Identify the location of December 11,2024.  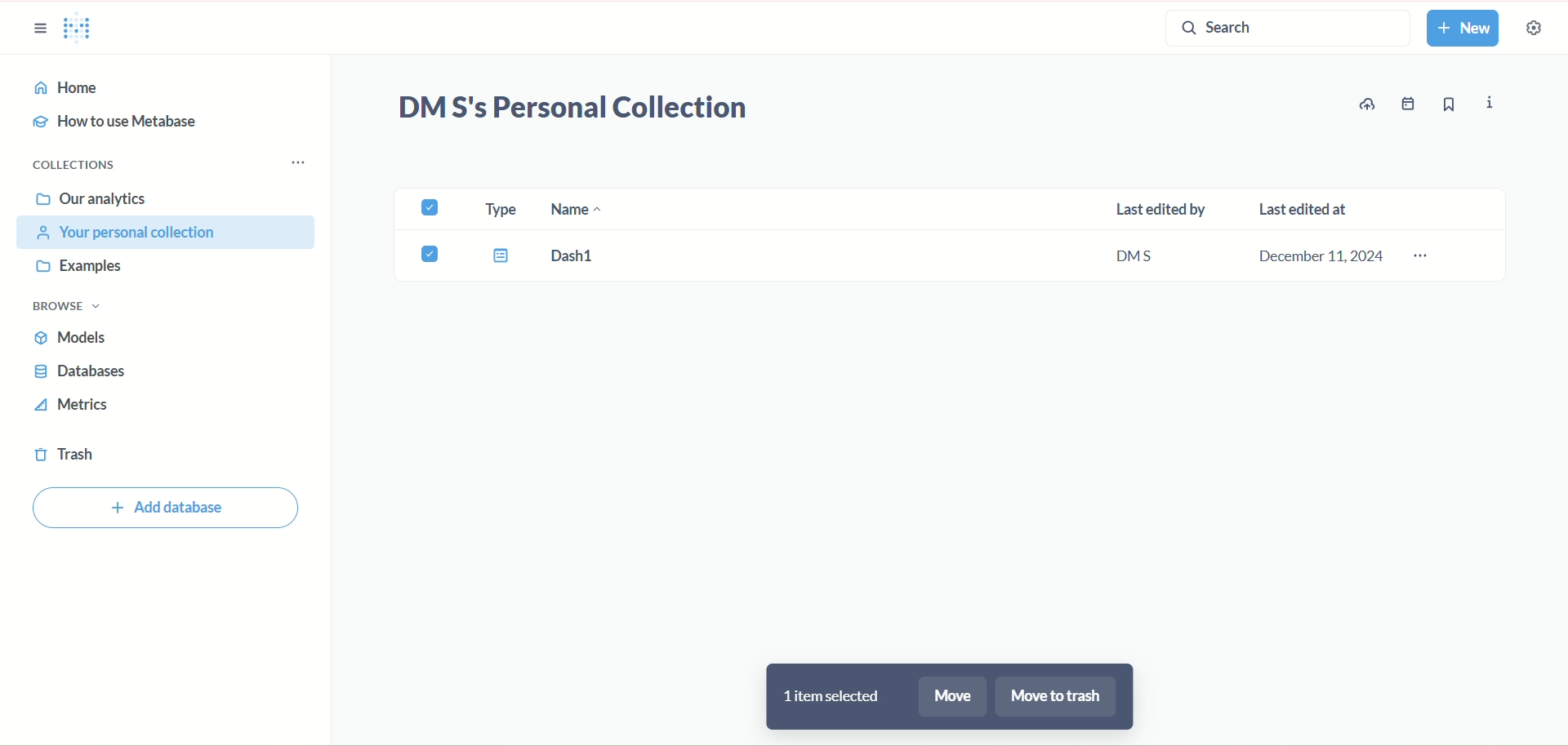
(1318, 257).